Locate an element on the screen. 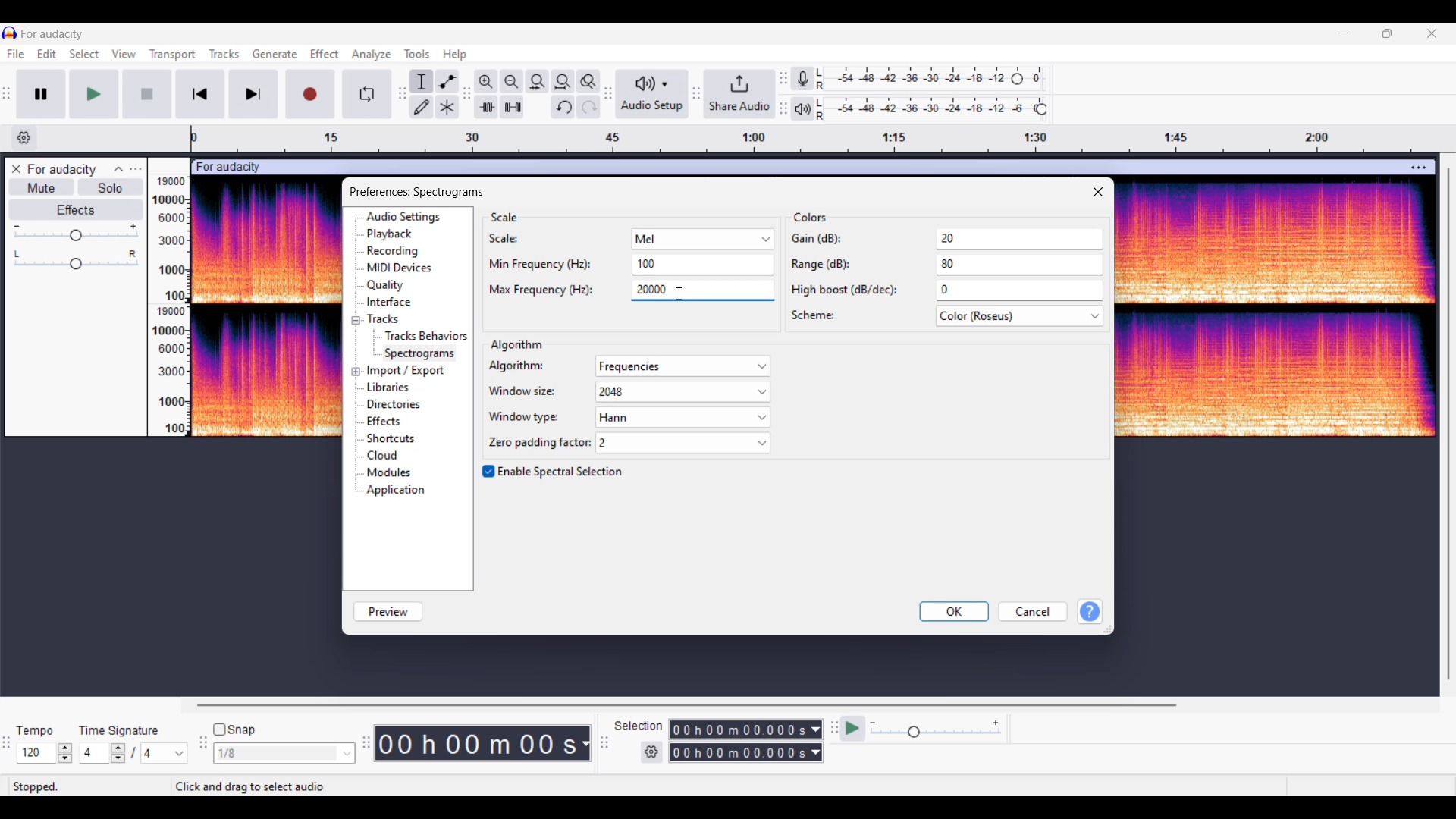 The image size is (1456, 819). View menu is located at coordinates (126, 55).